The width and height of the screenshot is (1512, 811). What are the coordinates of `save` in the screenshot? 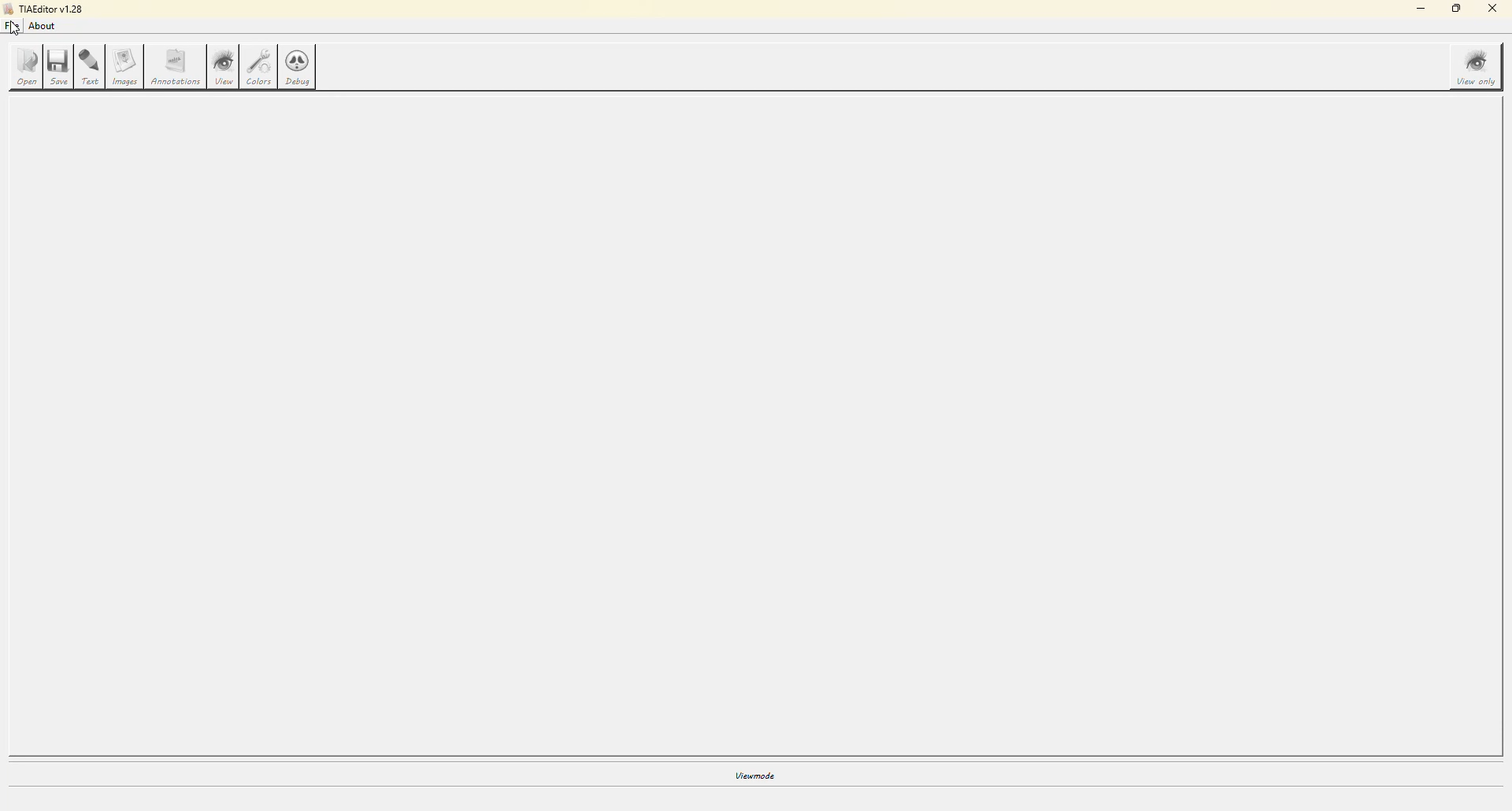 It's located at (59, 67).